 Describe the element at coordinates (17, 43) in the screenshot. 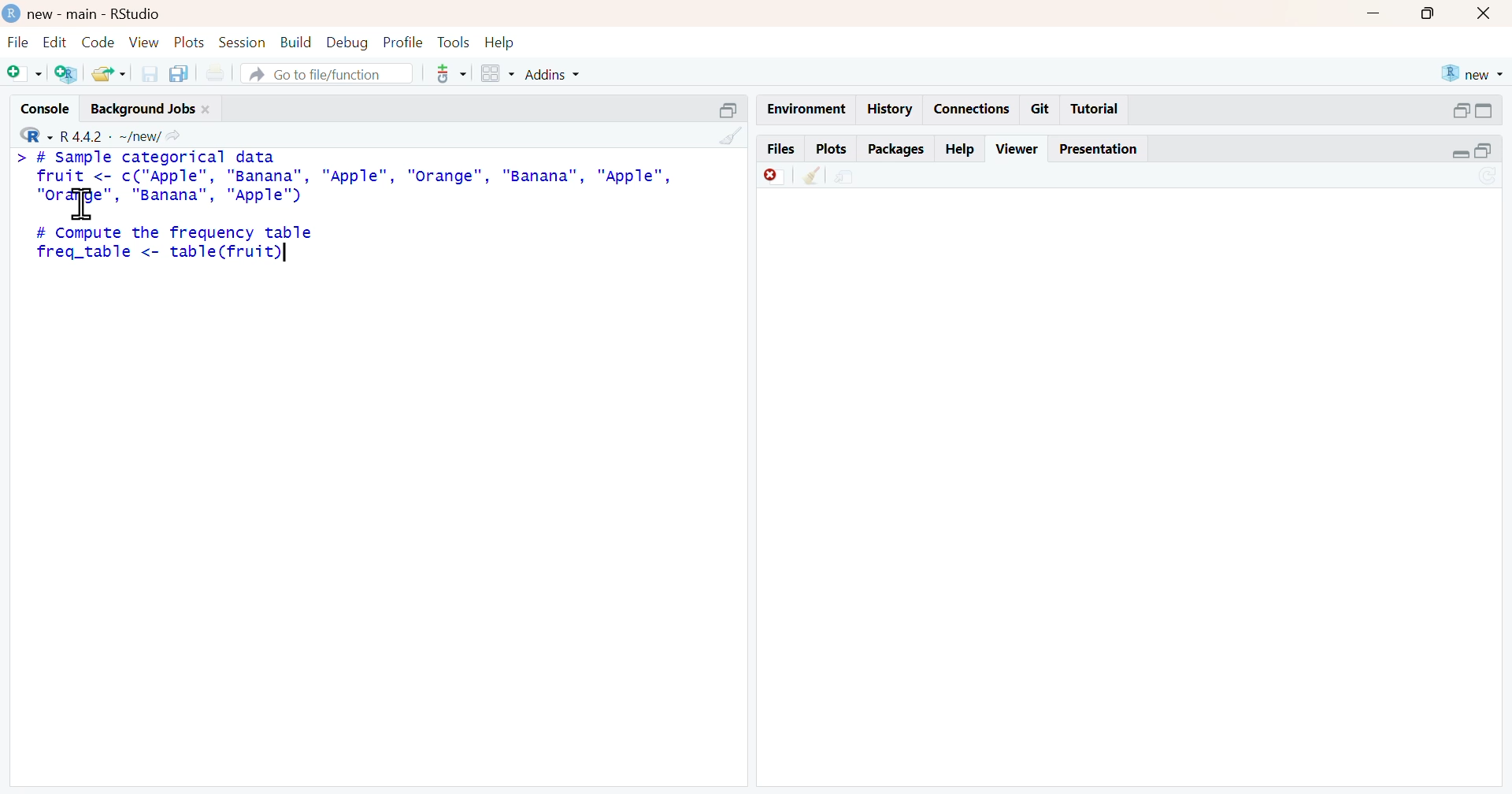

I see `file` at that location.